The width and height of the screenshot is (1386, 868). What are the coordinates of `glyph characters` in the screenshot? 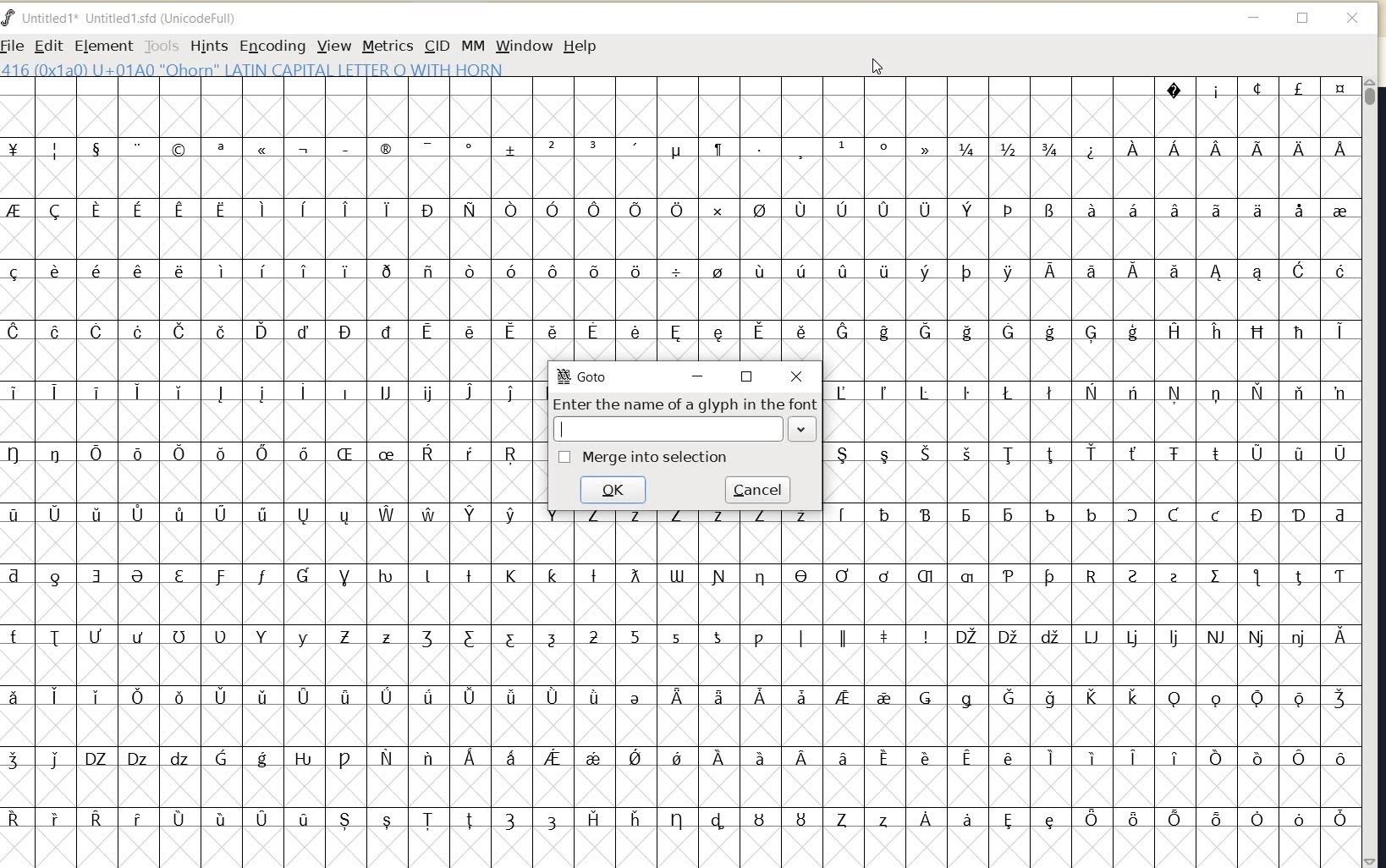 It's located at (1093, 612).